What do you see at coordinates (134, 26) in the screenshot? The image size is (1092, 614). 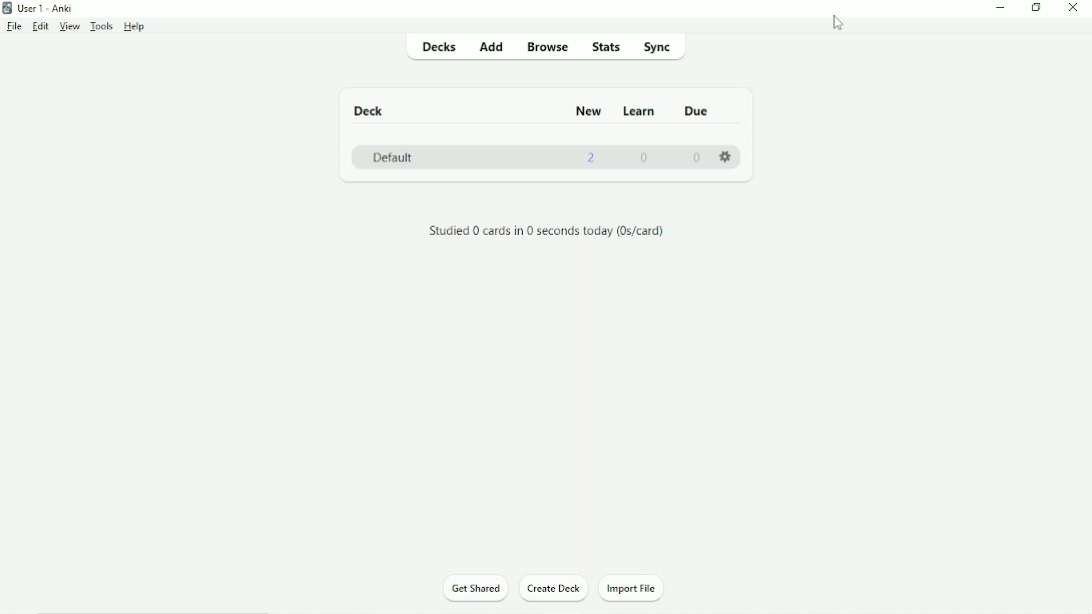 I see `Help` at bounding box center [134, 26].